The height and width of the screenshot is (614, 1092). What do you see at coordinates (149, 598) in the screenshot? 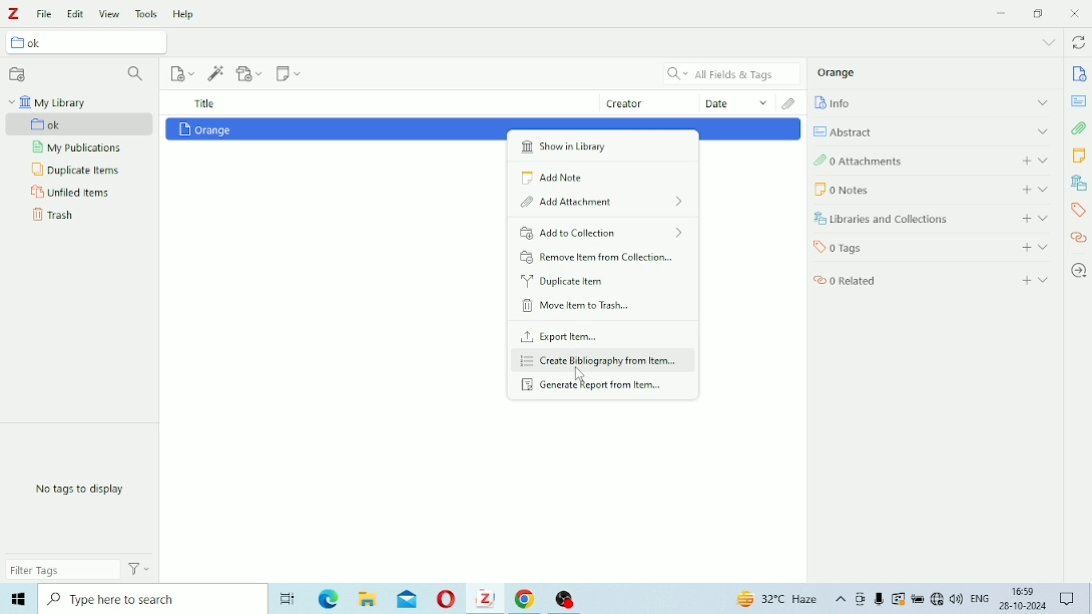
I see `Type here to search` at bounding box center [149, 598].